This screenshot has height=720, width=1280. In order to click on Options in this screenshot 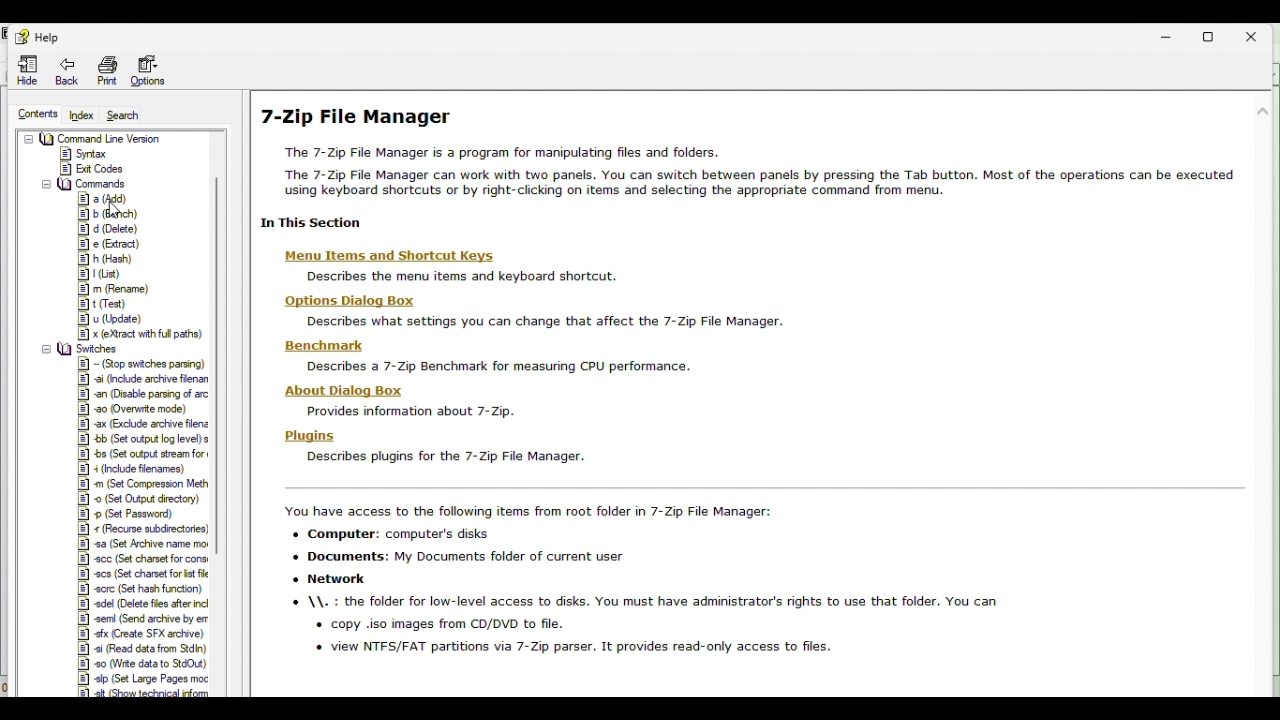, I will do `click(149, 68)`.